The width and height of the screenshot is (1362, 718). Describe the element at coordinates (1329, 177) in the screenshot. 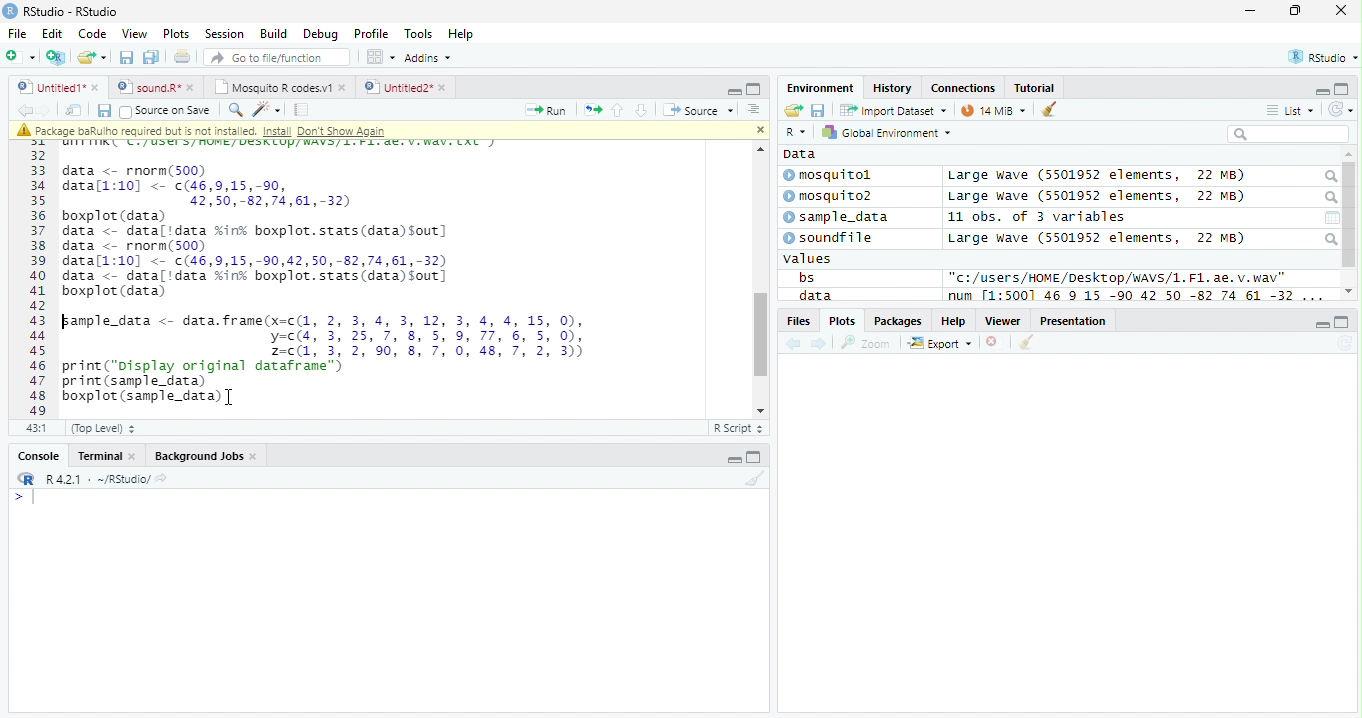

I see `search` at that location.